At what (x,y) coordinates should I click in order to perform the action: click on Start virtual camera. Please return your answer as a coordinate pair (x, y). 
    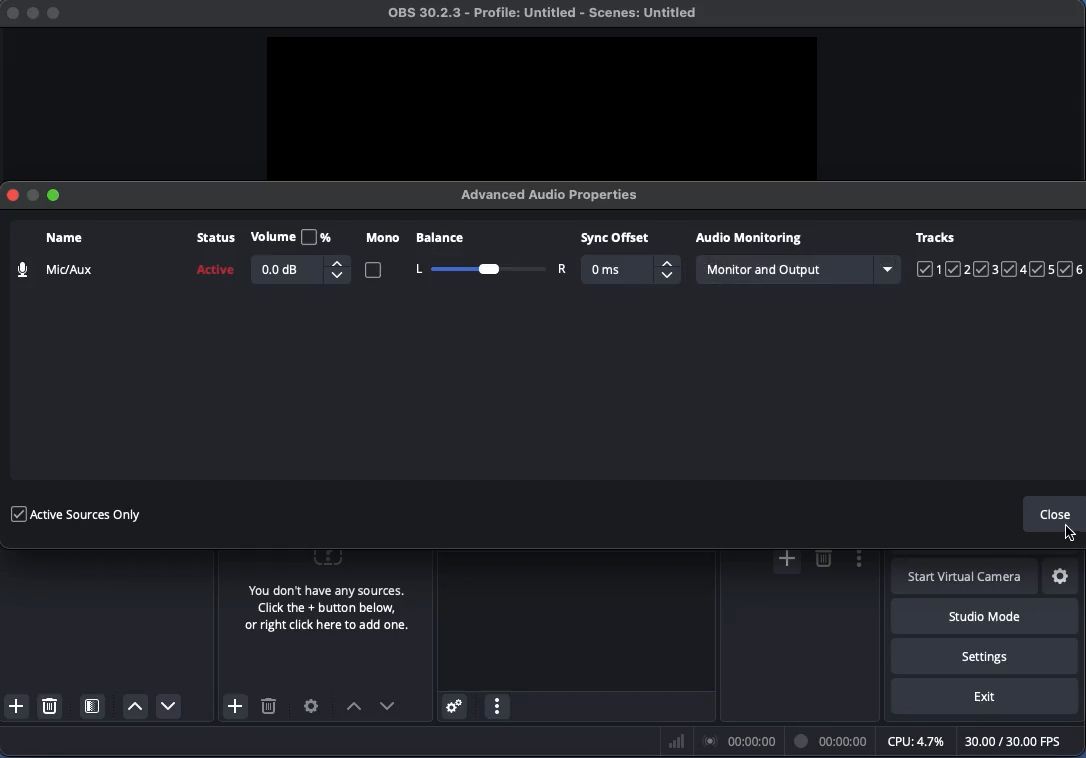
    Looking at the image, I should click on (966, 578).